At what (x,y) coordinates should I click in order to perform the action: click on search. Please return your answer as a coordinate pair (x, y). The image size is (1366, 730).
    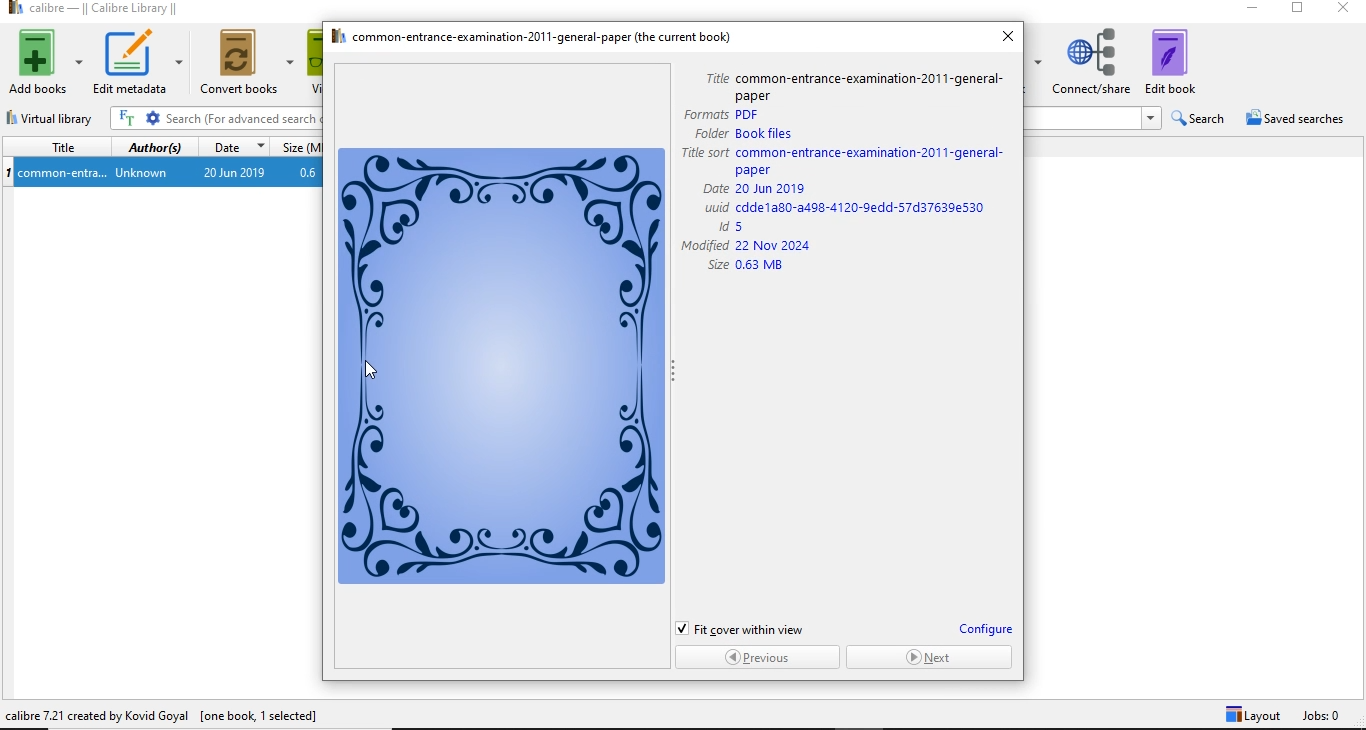
    Looking at the image, I should click on (1197, 119).